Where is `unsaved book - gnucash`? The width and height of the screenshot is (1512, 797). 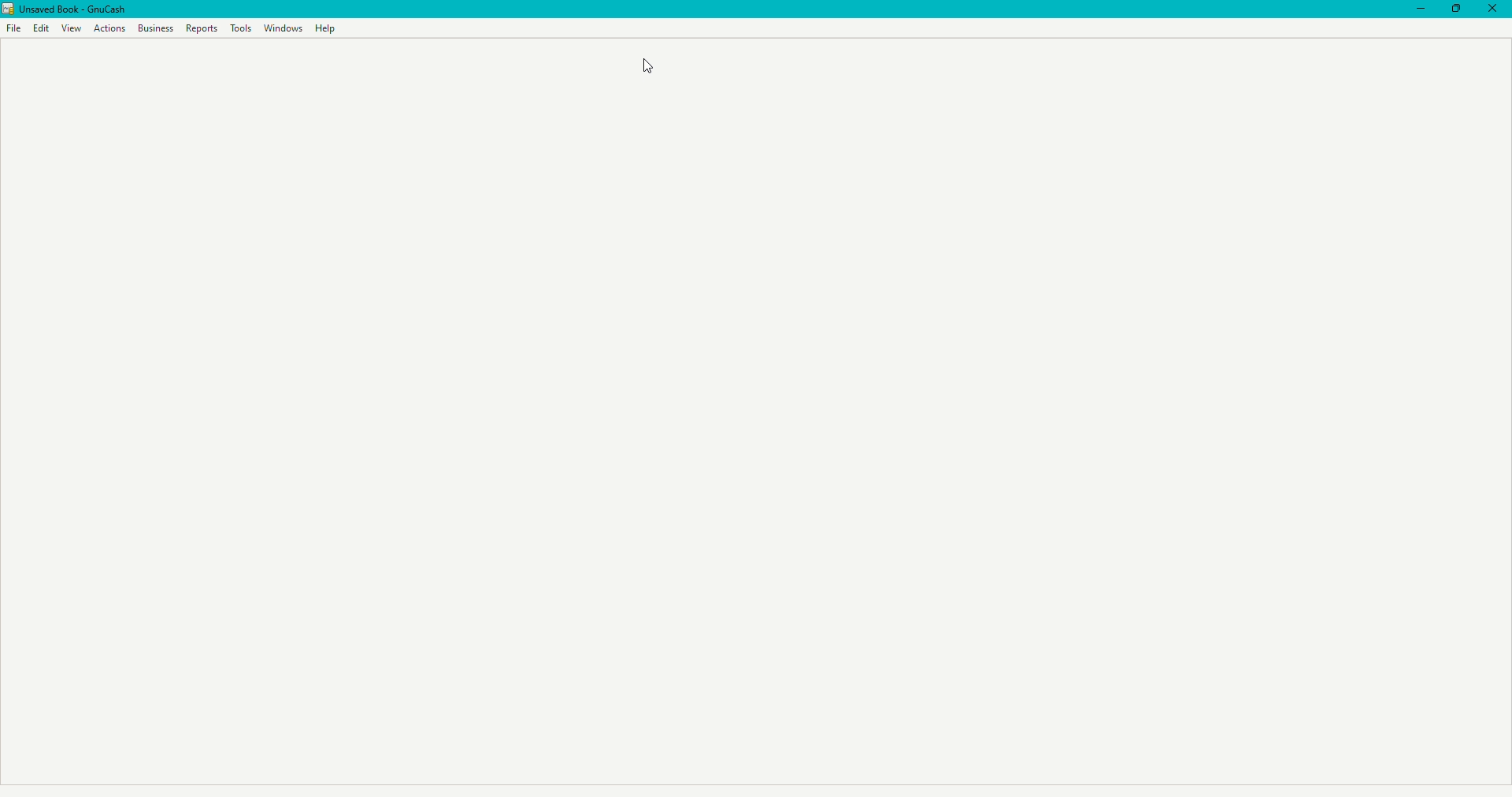 unsaved book - gnucash is located at coordinates (83, 8).